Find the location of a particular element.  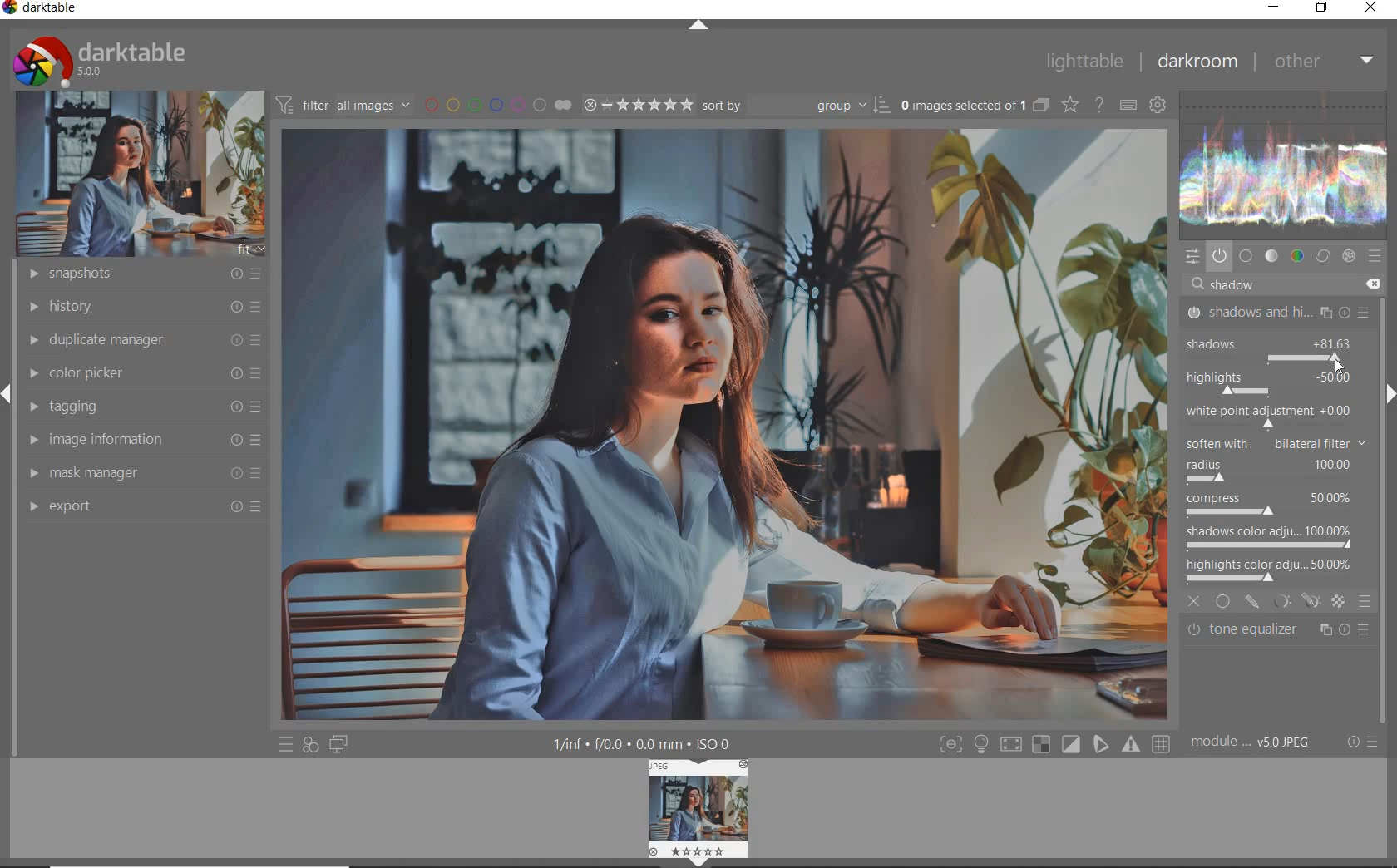

shadow is located at coordinates (1239, 285).